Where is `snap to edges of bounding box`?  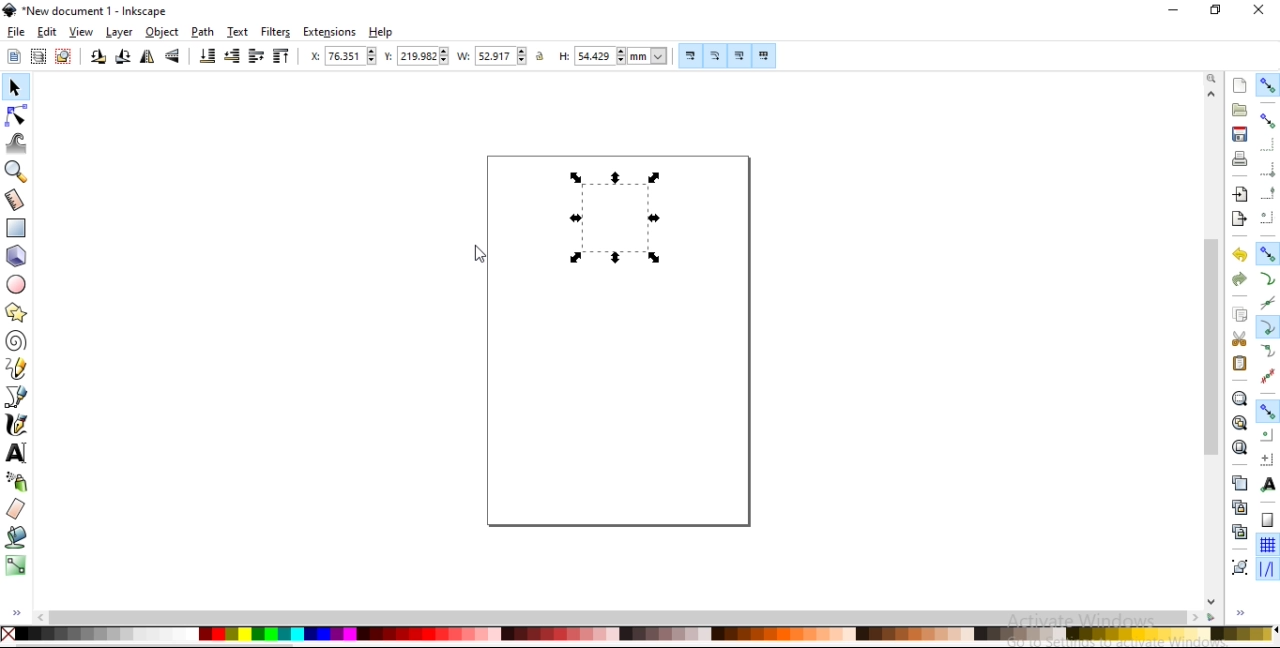 snap to edges of bounding box is located at coordinates (1268, 146).